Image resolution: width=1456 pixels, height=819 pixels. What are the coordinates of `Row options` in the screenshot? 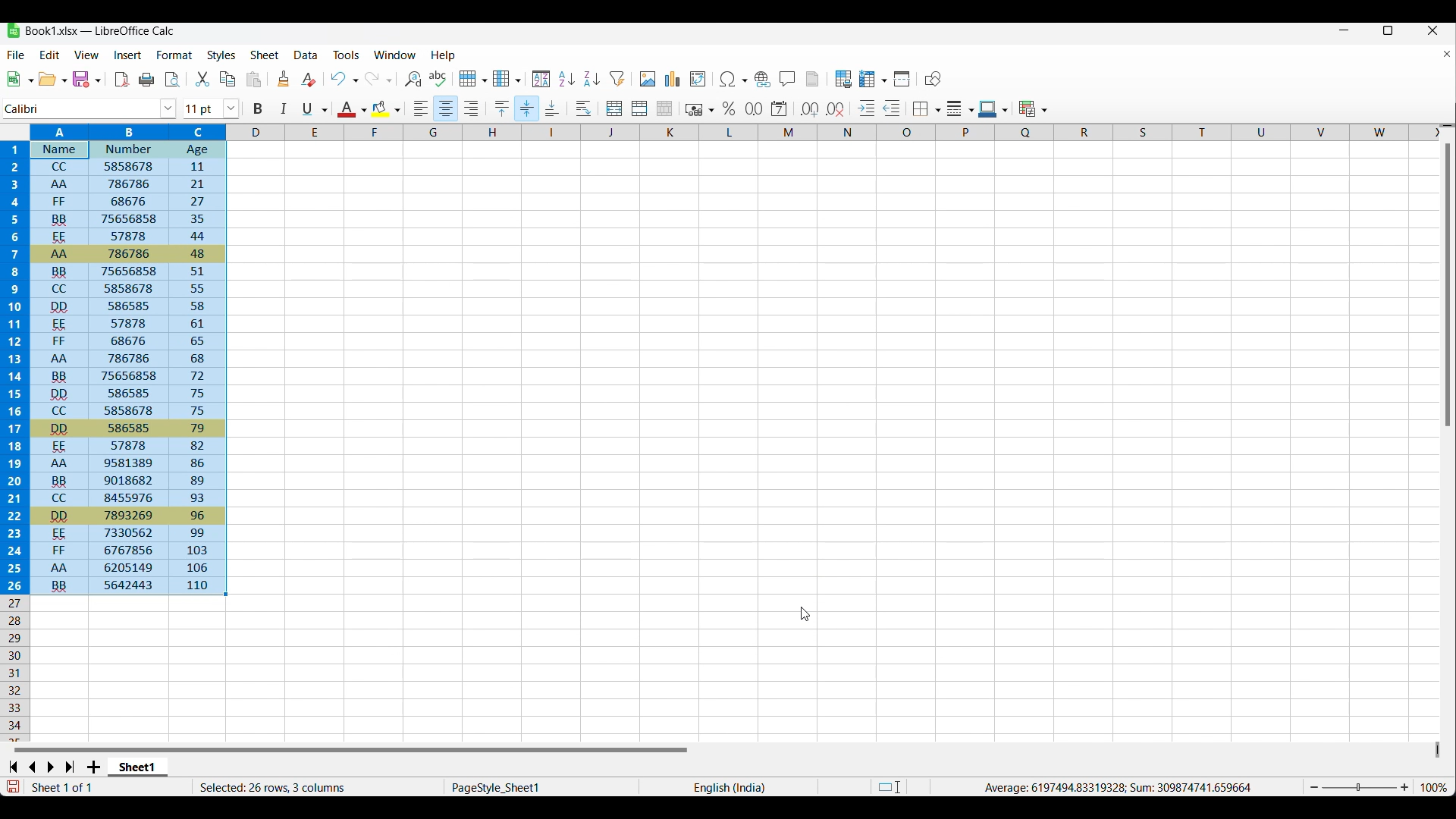 It's located at (472, 78).